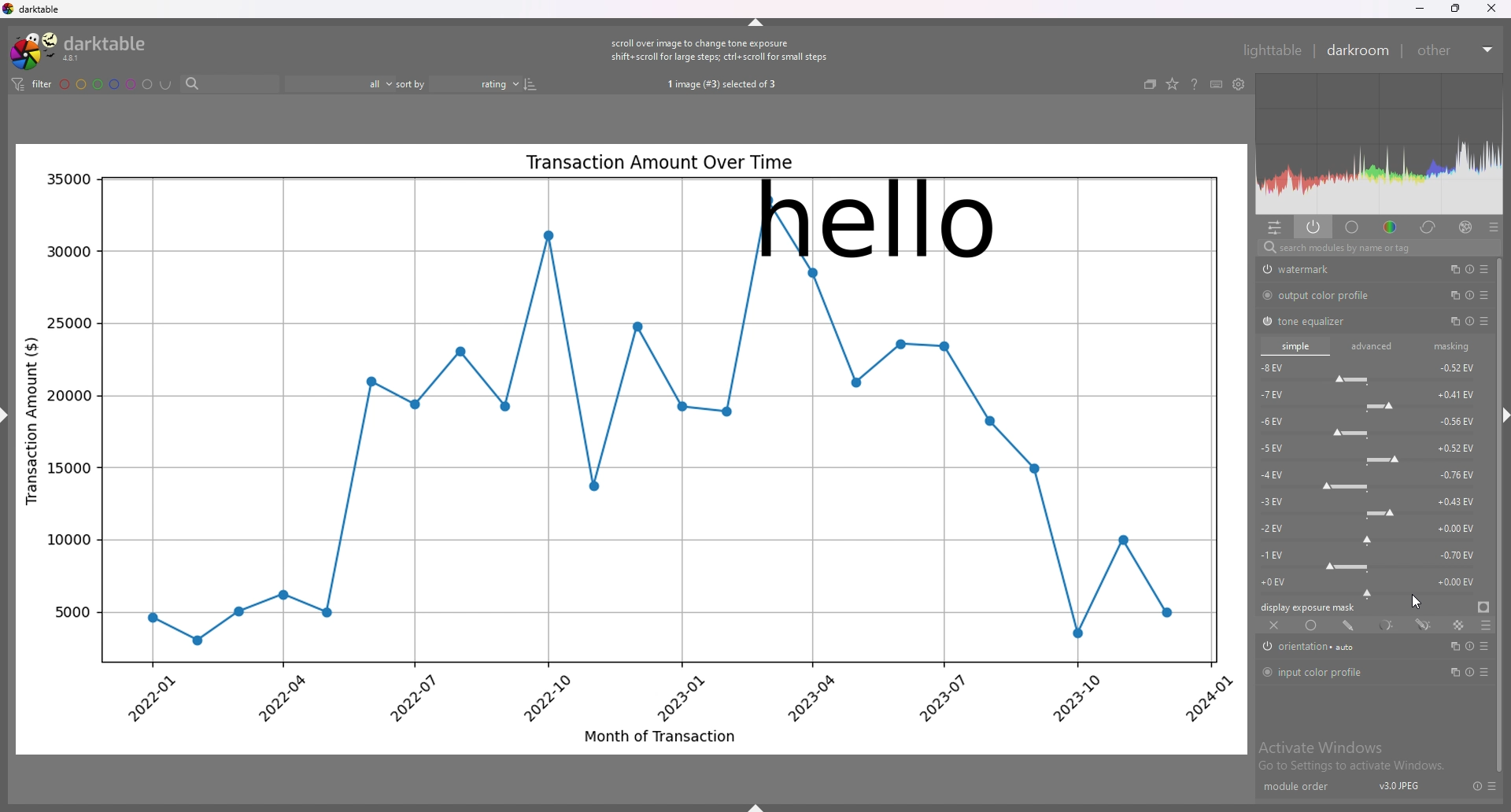 The height and width of the screenshot is (812, 1511). What do you see at coordinates (1266, 648) in the screenshot?
I see `switch off/on` at bounding box center [1266, 648].